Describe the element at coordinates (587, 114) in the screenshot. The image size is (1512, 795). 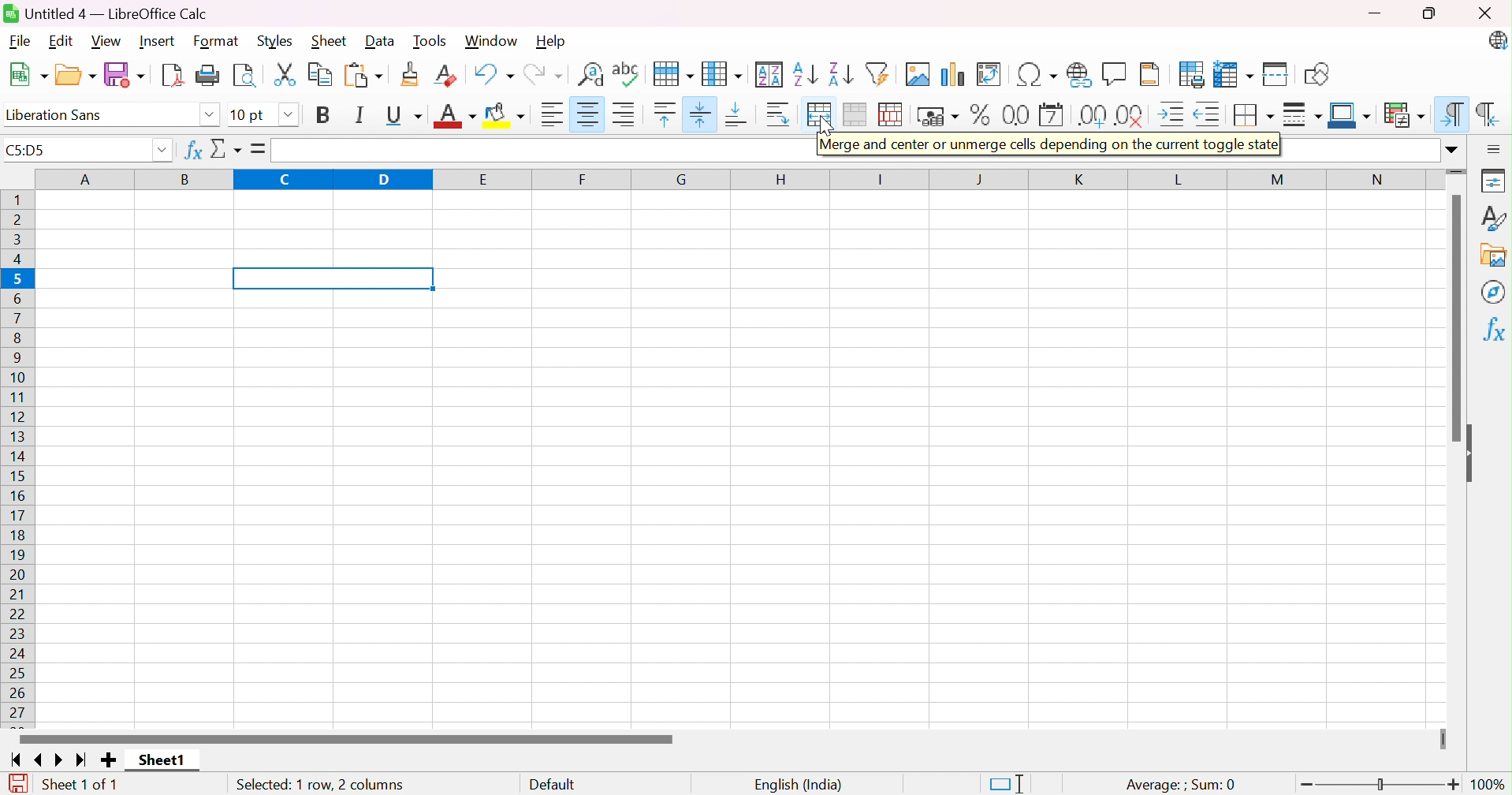
I see `Align Center` at that location.